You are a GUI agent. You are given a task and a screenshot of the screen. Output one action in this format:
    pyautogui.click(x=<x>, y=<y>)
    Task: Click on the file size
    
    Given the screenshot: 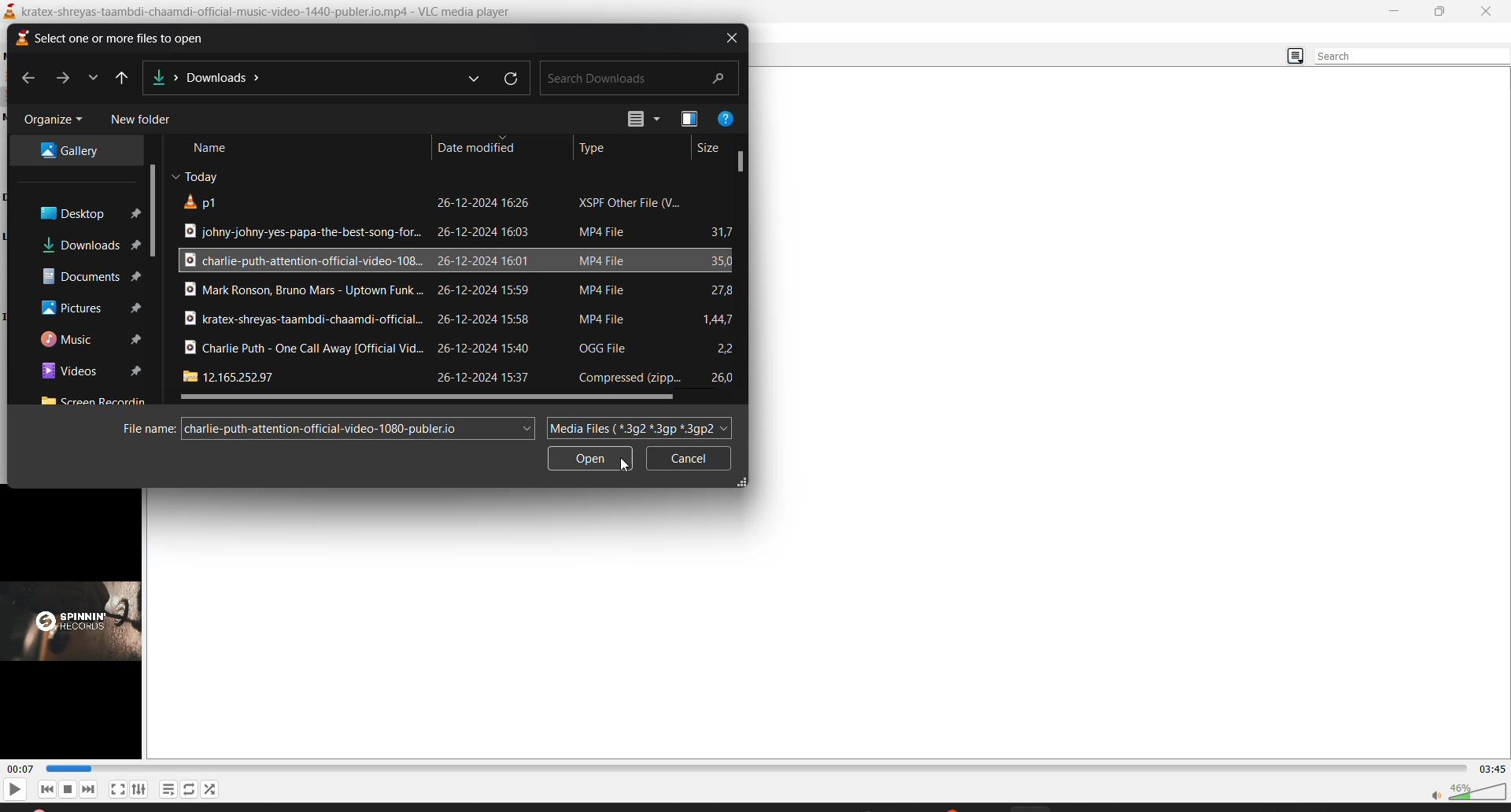 What is the action you would take?
    pyautogui.click(x=720, y=377)
    